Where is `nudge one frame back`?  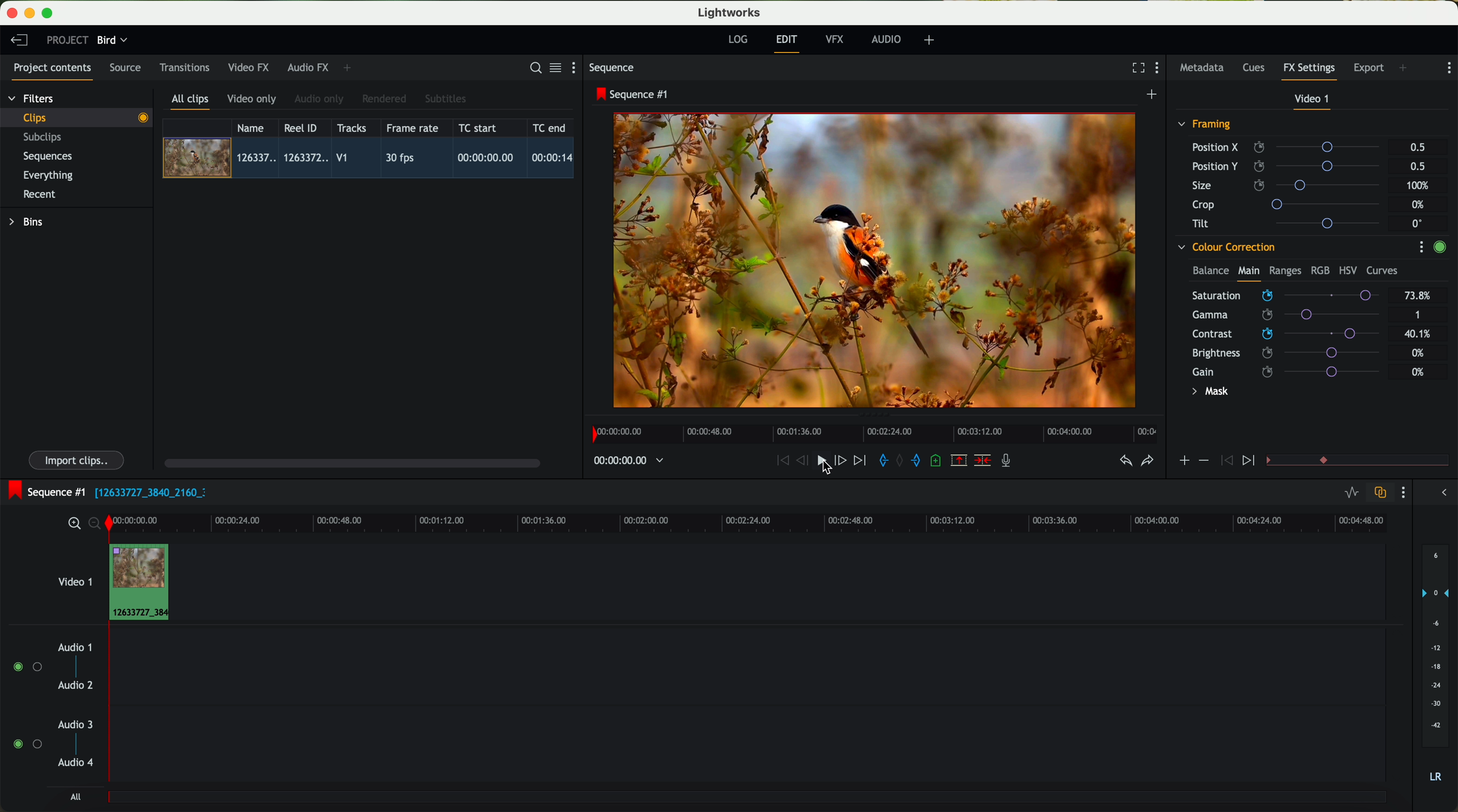
nudge one frame back is located at coordinates (804, 462).